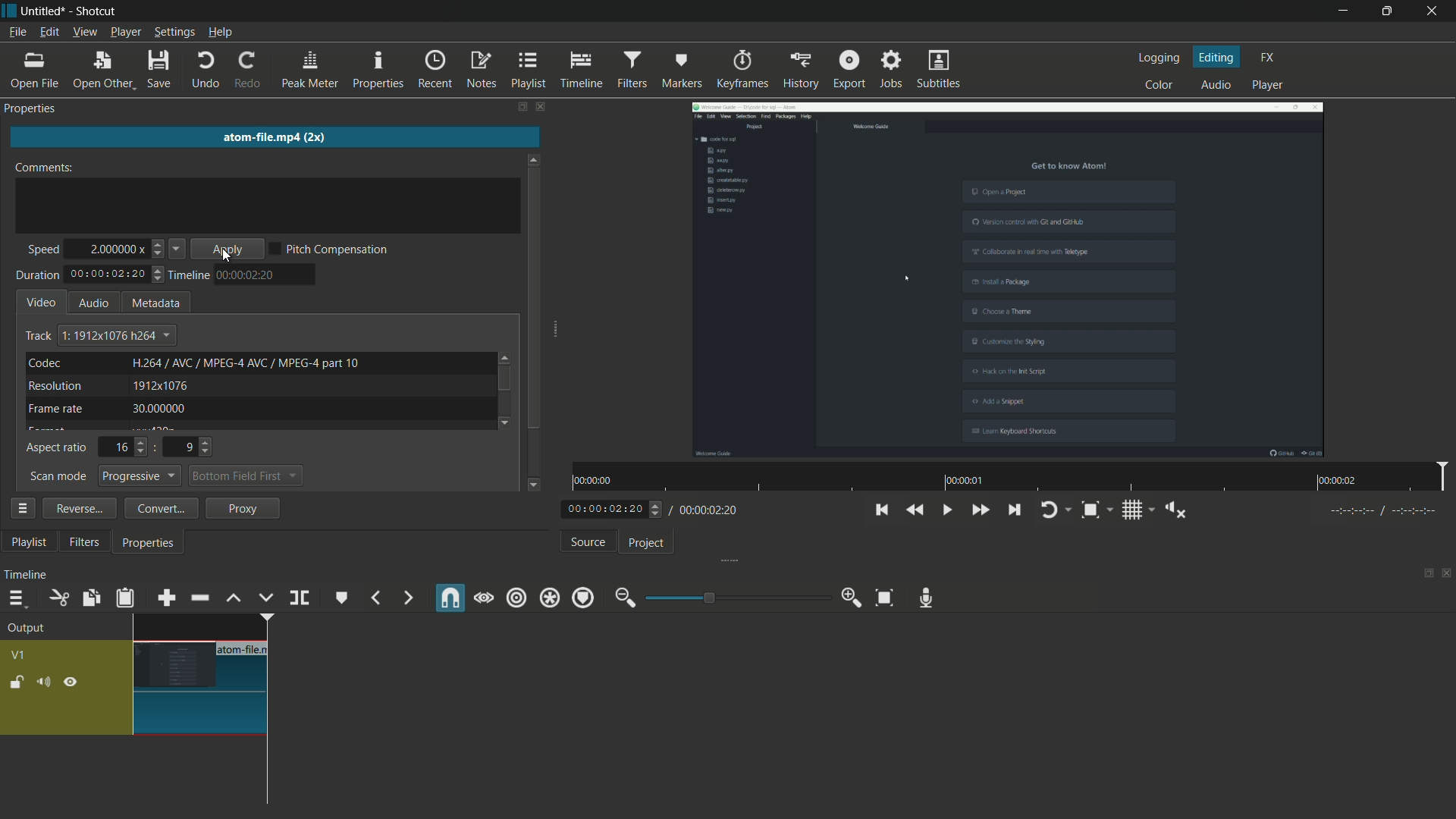 The image size is (1456, 819). Describe the element at coordinates (55, 386) in the screenshot. I see `resolution` at that location.